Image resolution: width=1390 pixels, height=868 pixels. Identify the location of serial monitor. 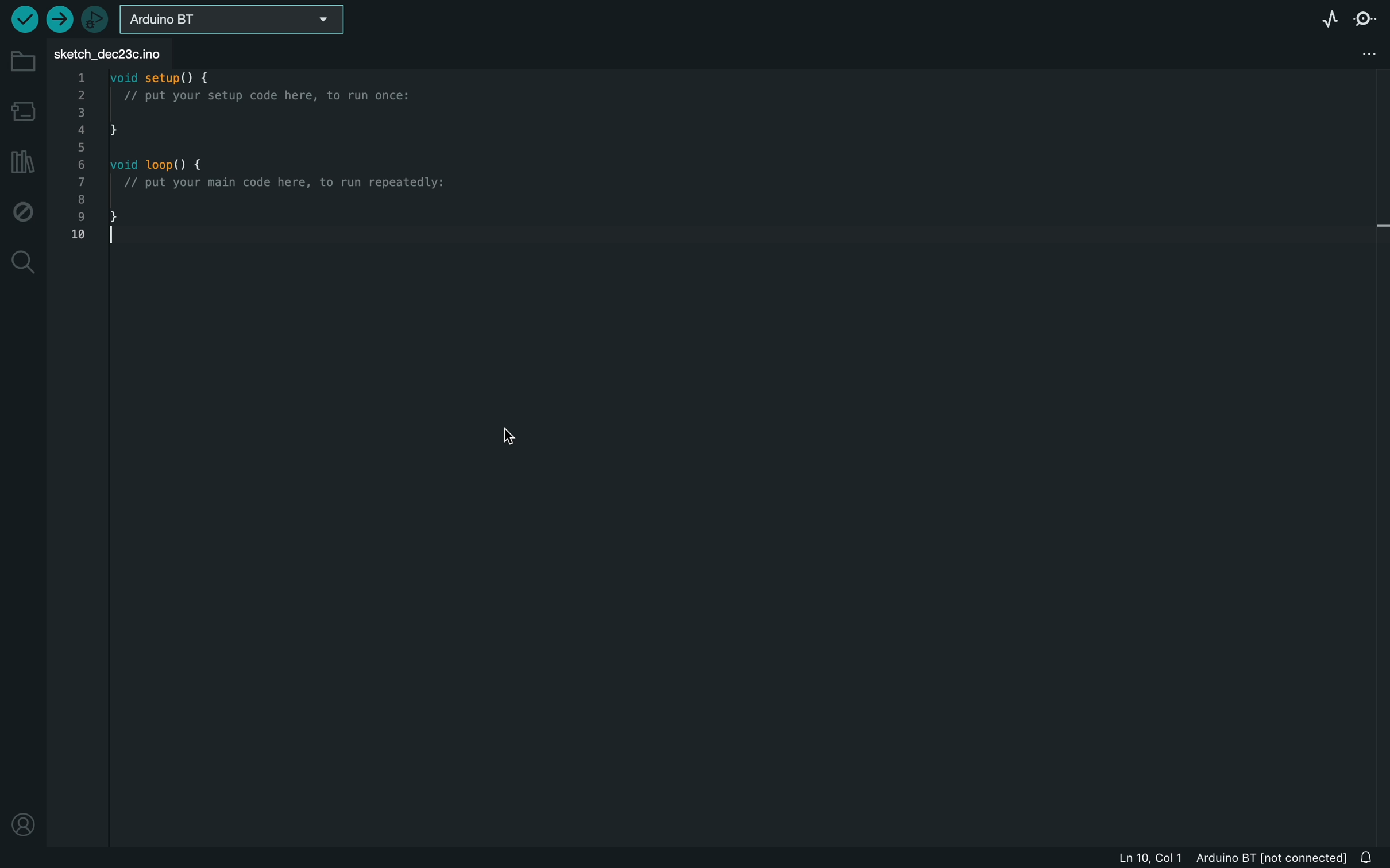
(1371, 17).